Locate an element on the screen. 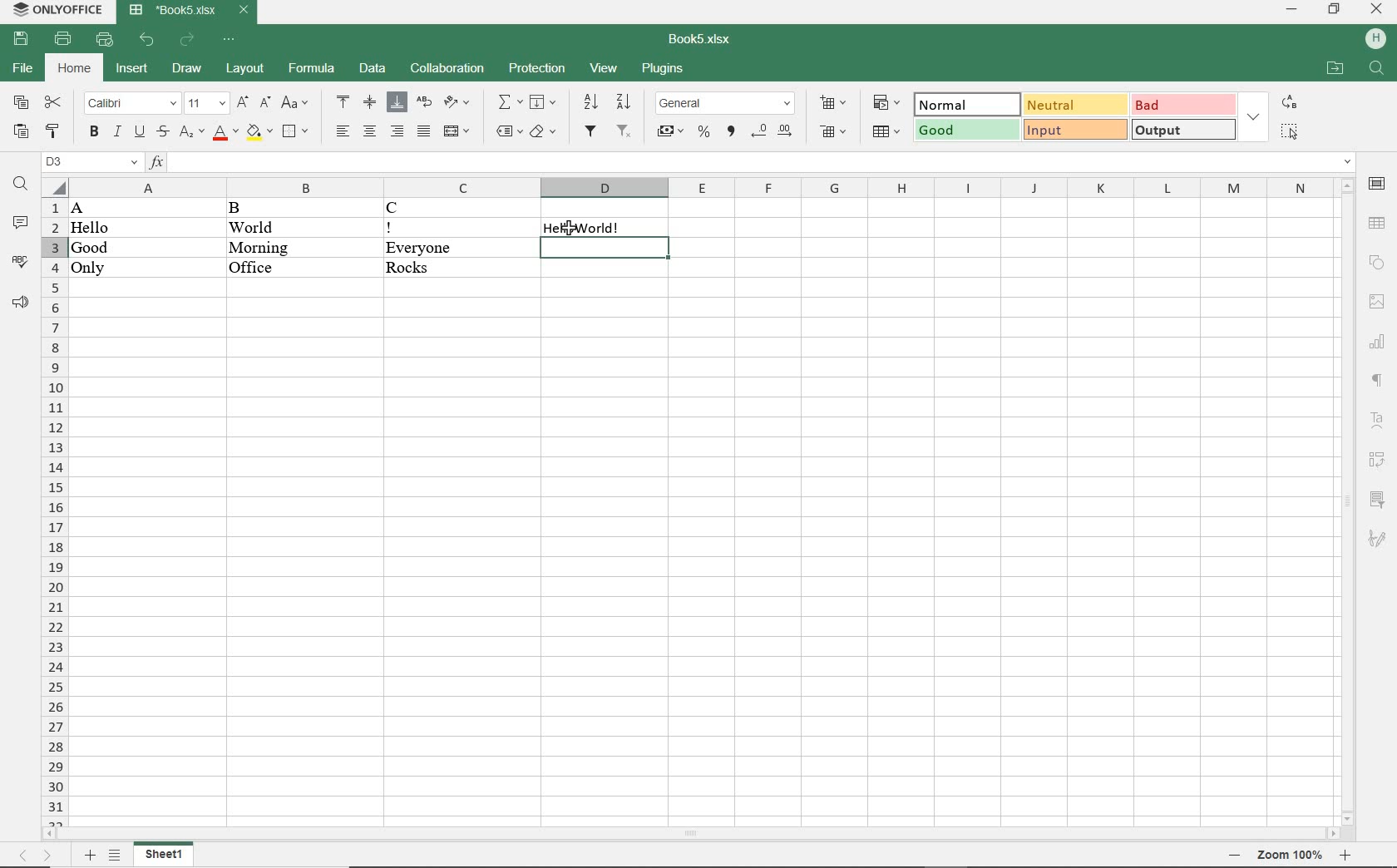 This screenshot has width=1397, height=868. HP is located at coordinates (1375, 40).